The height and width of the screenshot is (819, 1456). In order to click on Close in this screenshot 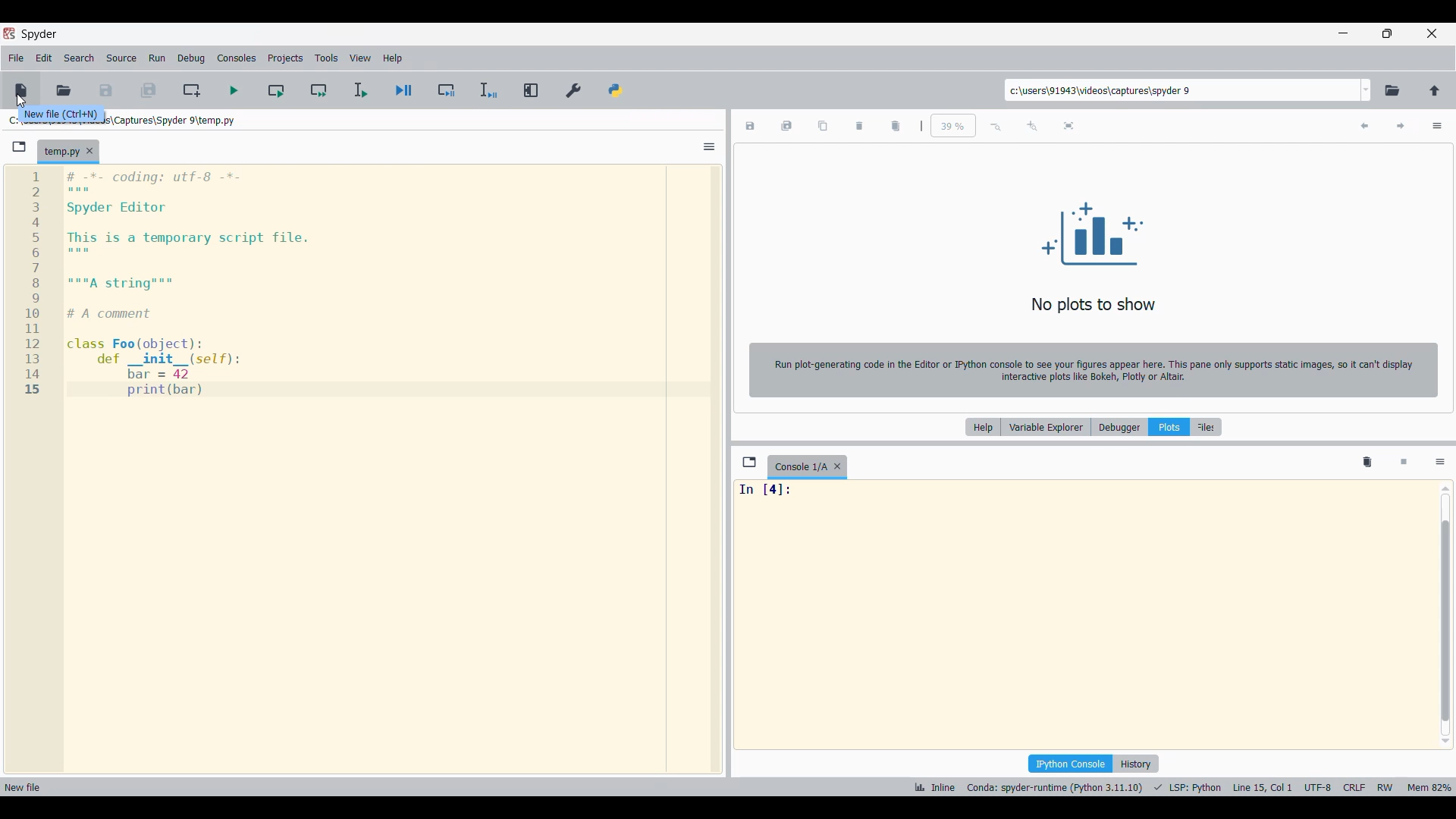, I will do `click(89, 151)`.